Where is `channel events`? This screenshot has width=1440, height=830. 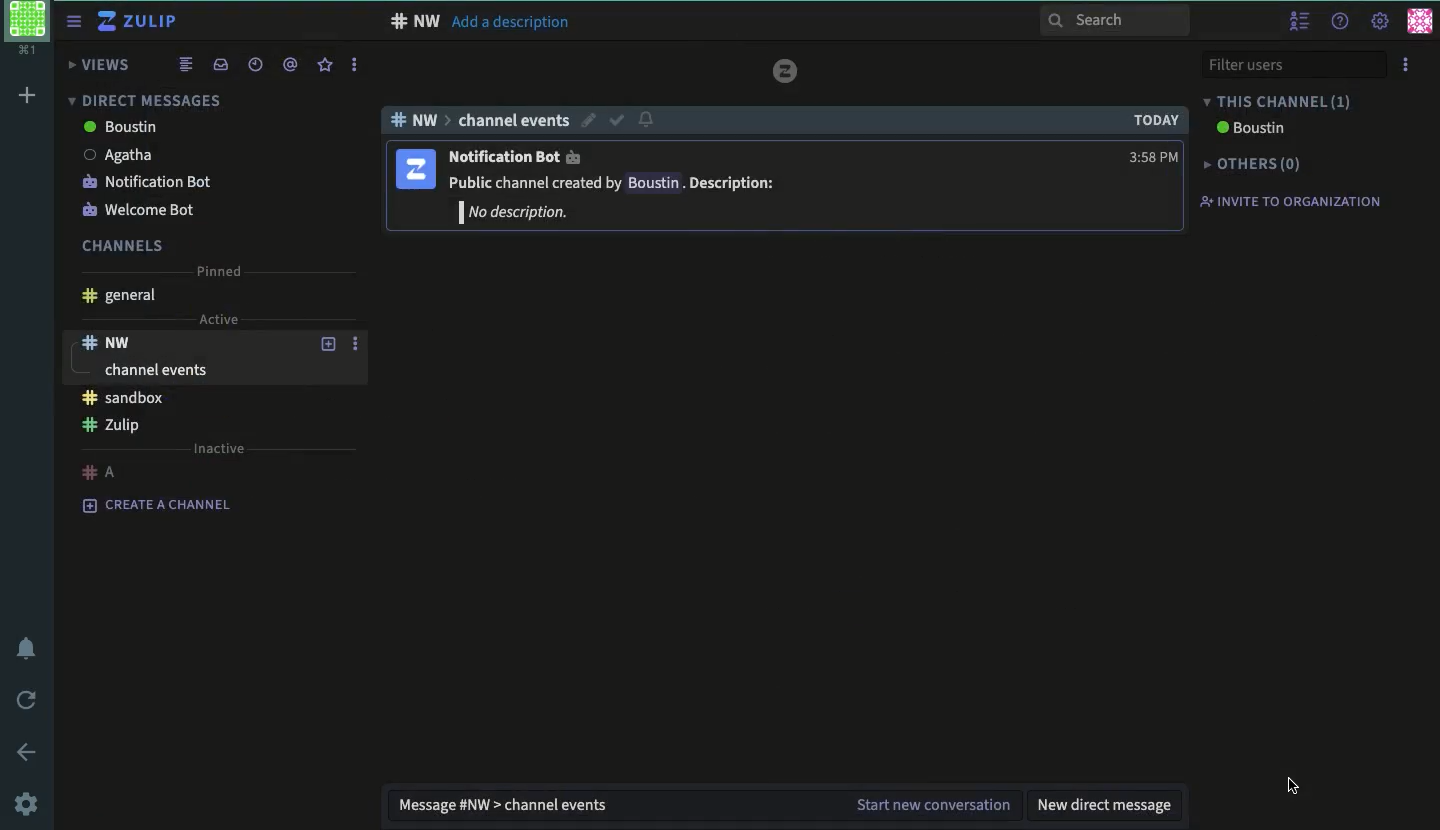
channel events is located at coordinates (476, 120).